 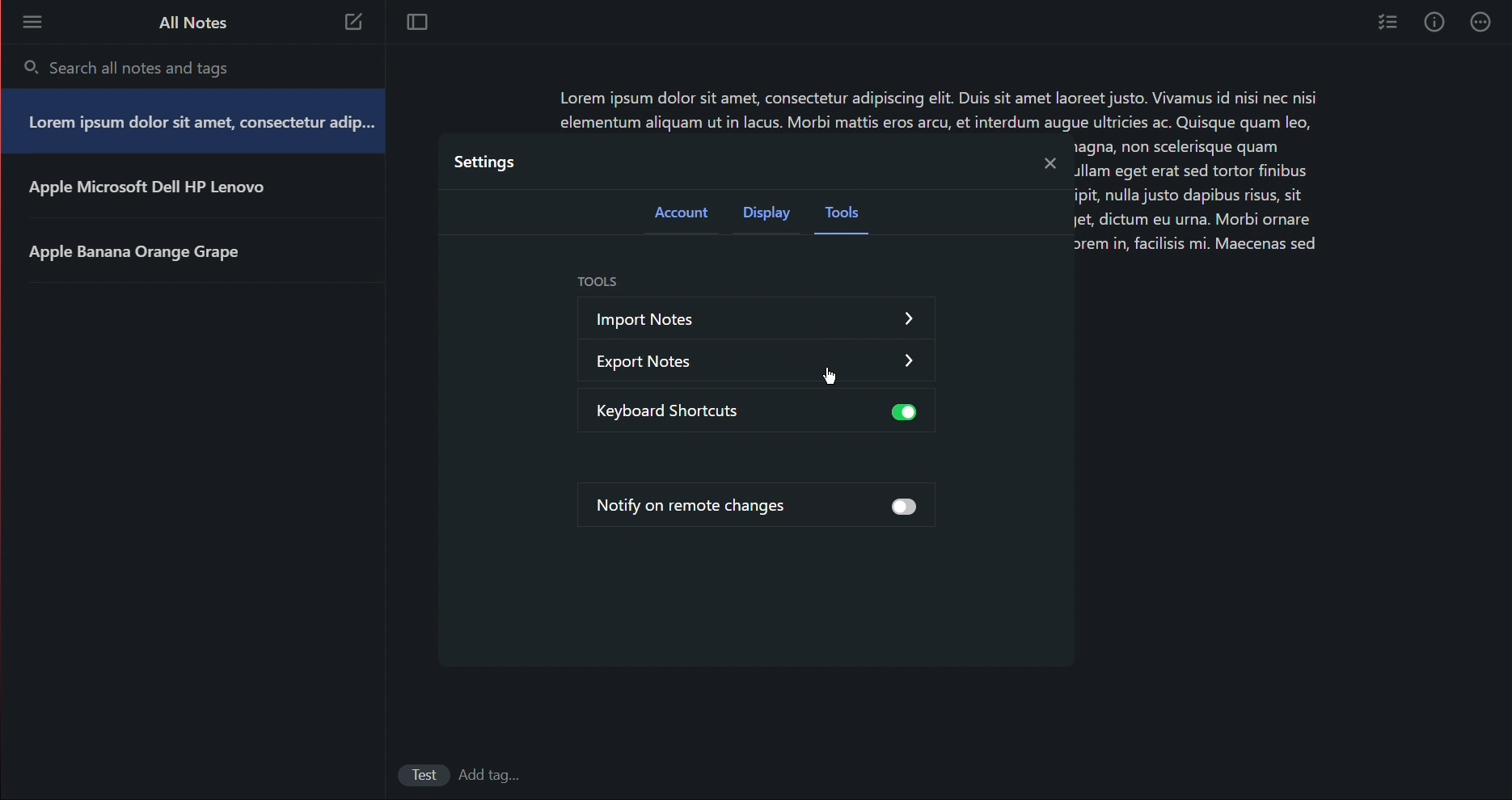 I want to click on dropdown, so click(x=910, y=321).